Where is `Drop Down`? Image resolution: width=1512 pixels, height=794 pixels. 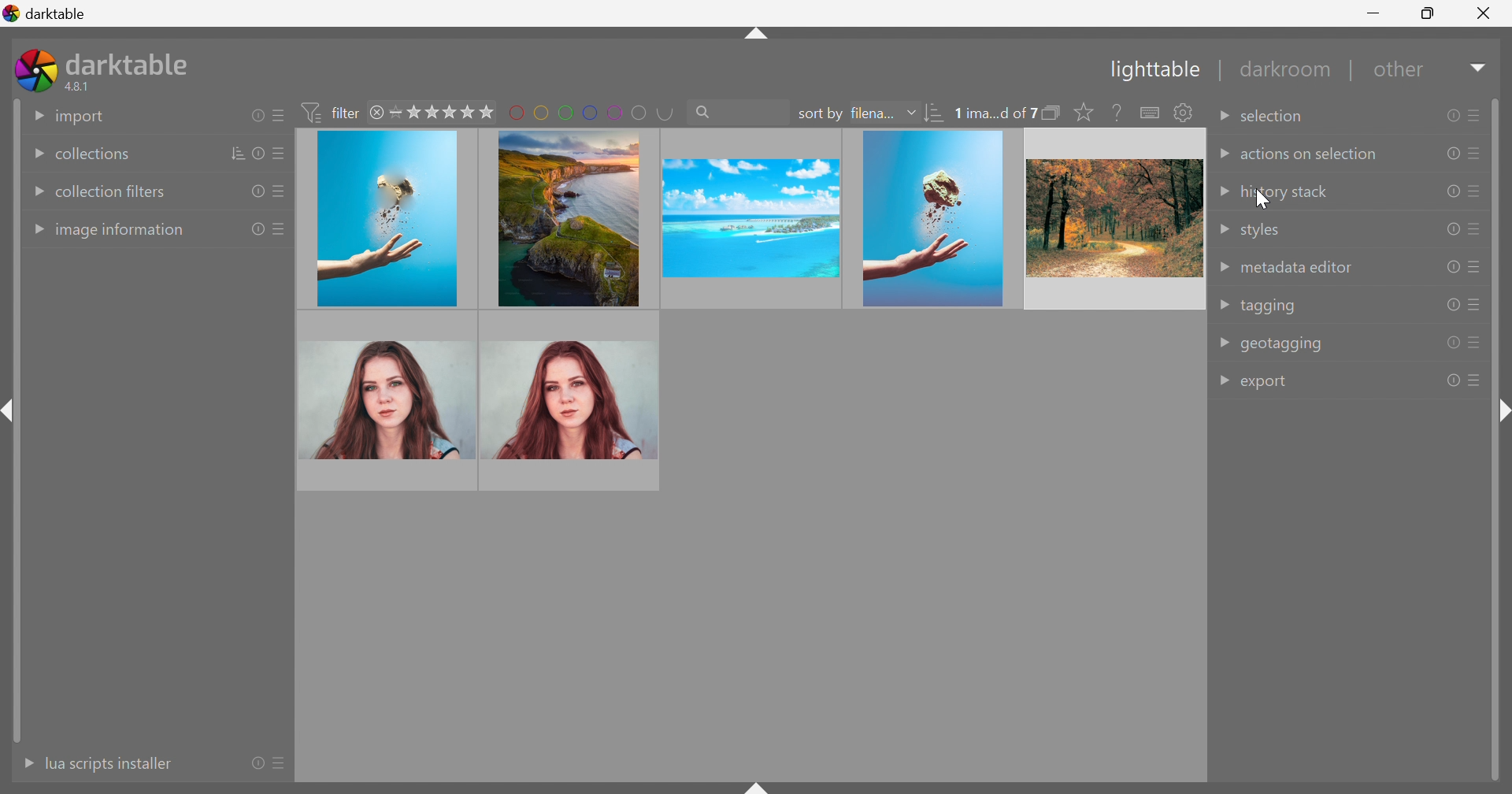 Drop Down is located at coordinates (1221, 228).